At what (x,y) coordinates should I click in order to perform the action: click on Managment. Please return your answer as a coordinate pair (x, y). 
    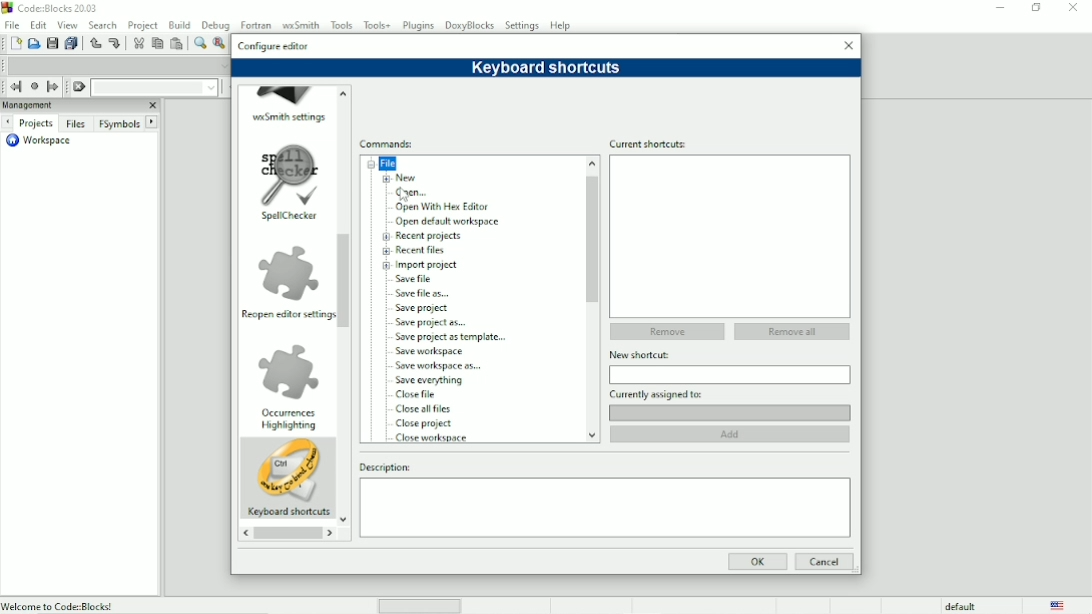
    Looking at the image, I should click on (57, 105).